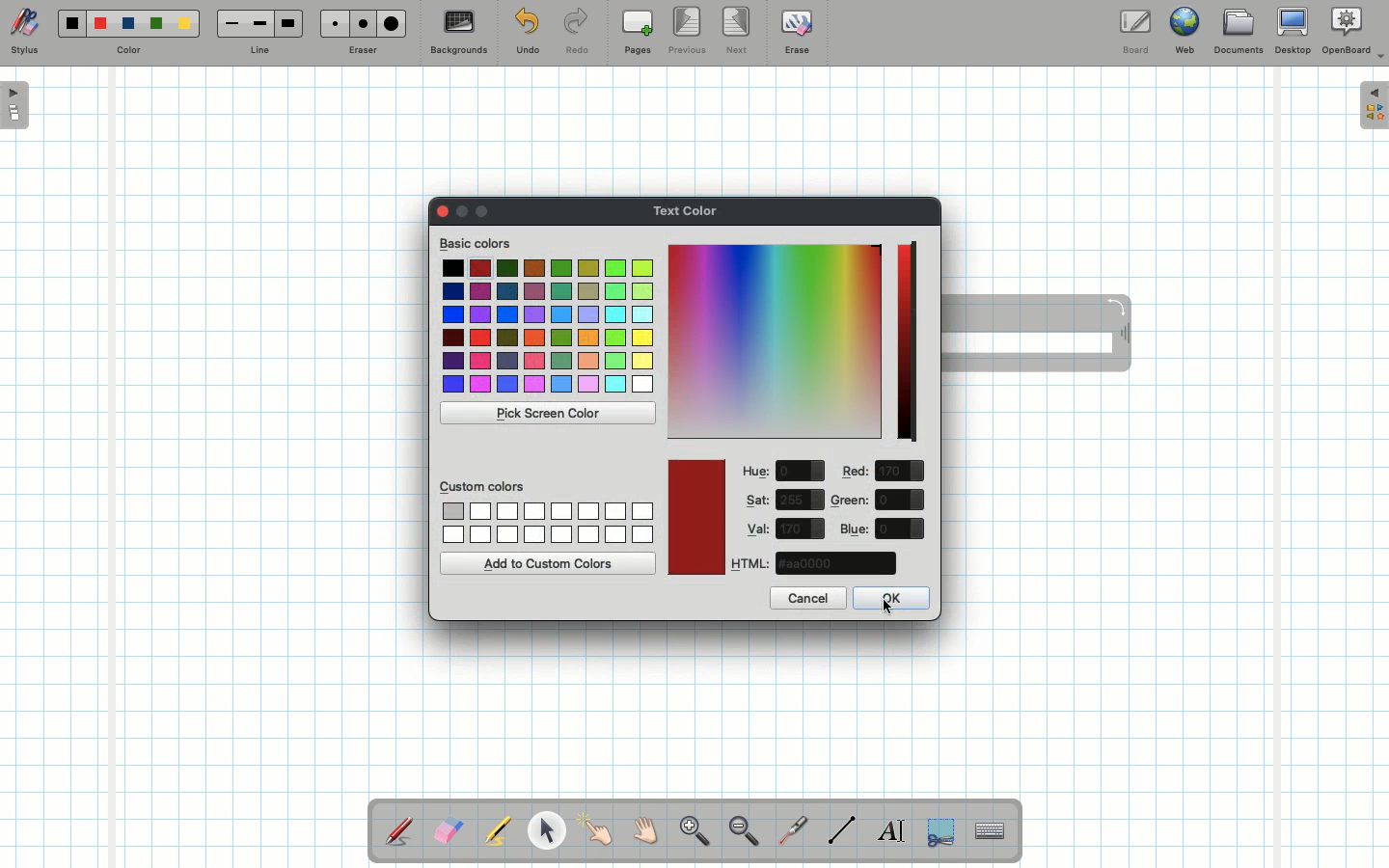 The image size is (1389, 868). I want to click on Hue, so click(757, 472).